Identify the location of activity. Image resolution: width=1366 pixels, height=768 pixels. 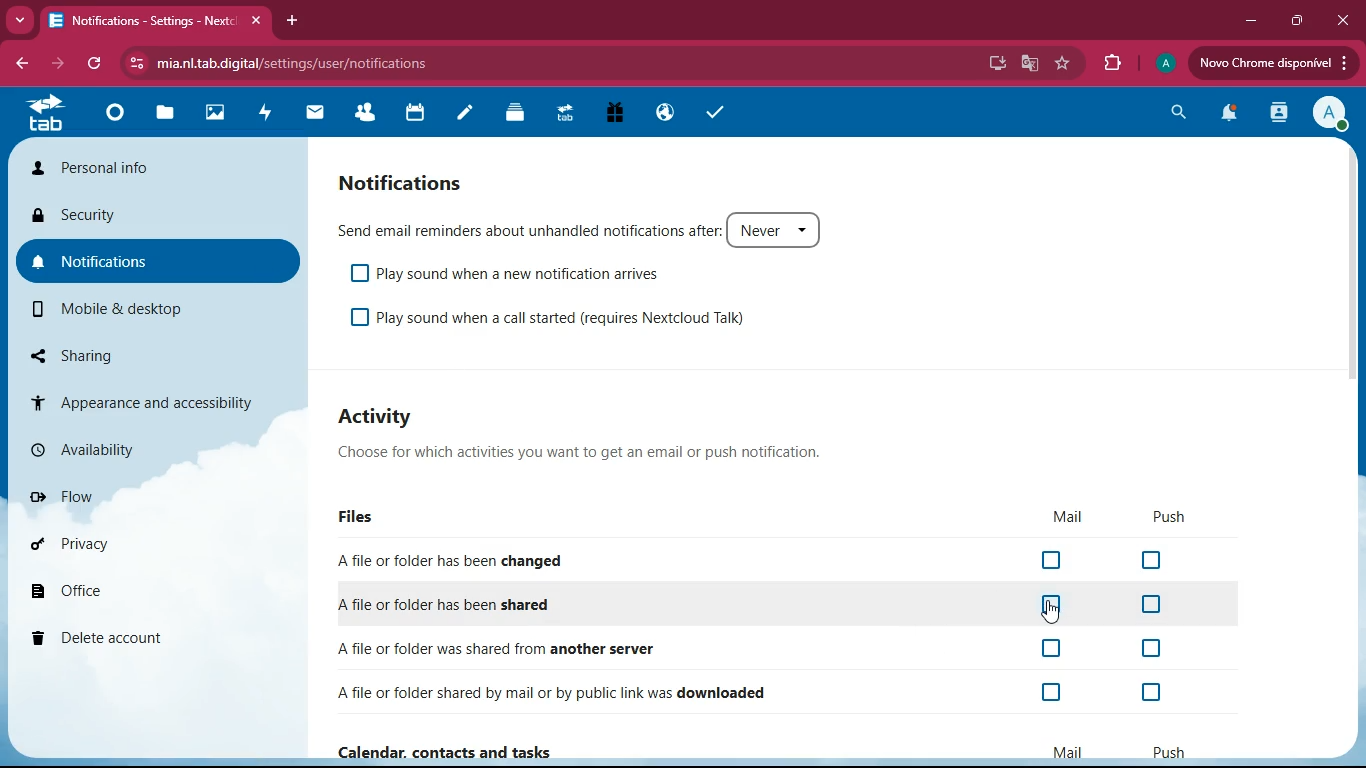
(263, 115).